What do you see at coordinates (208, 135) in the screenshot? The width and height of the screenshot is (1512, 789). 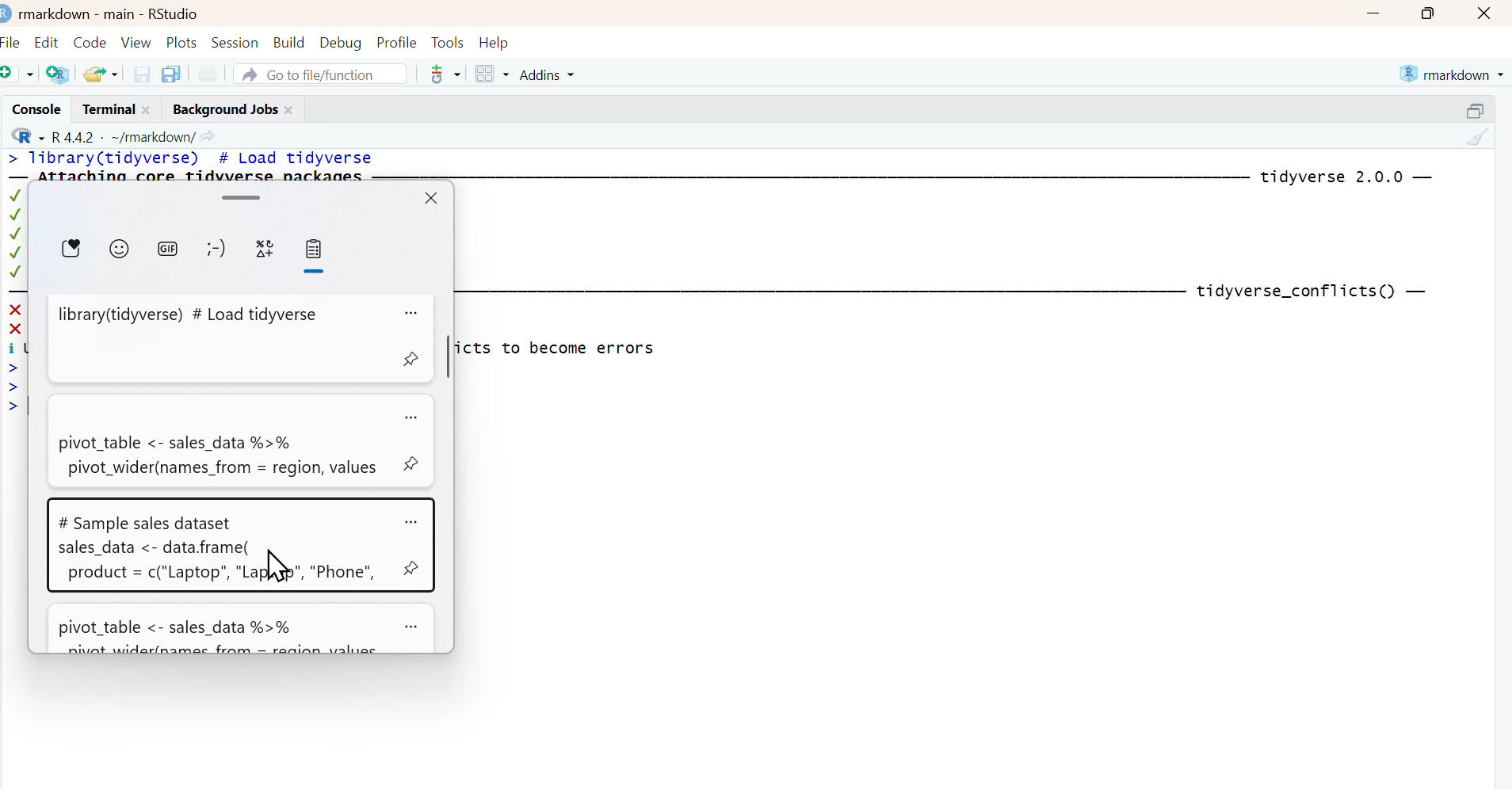 I see `view current working directory` at bounding box center [208, 135].